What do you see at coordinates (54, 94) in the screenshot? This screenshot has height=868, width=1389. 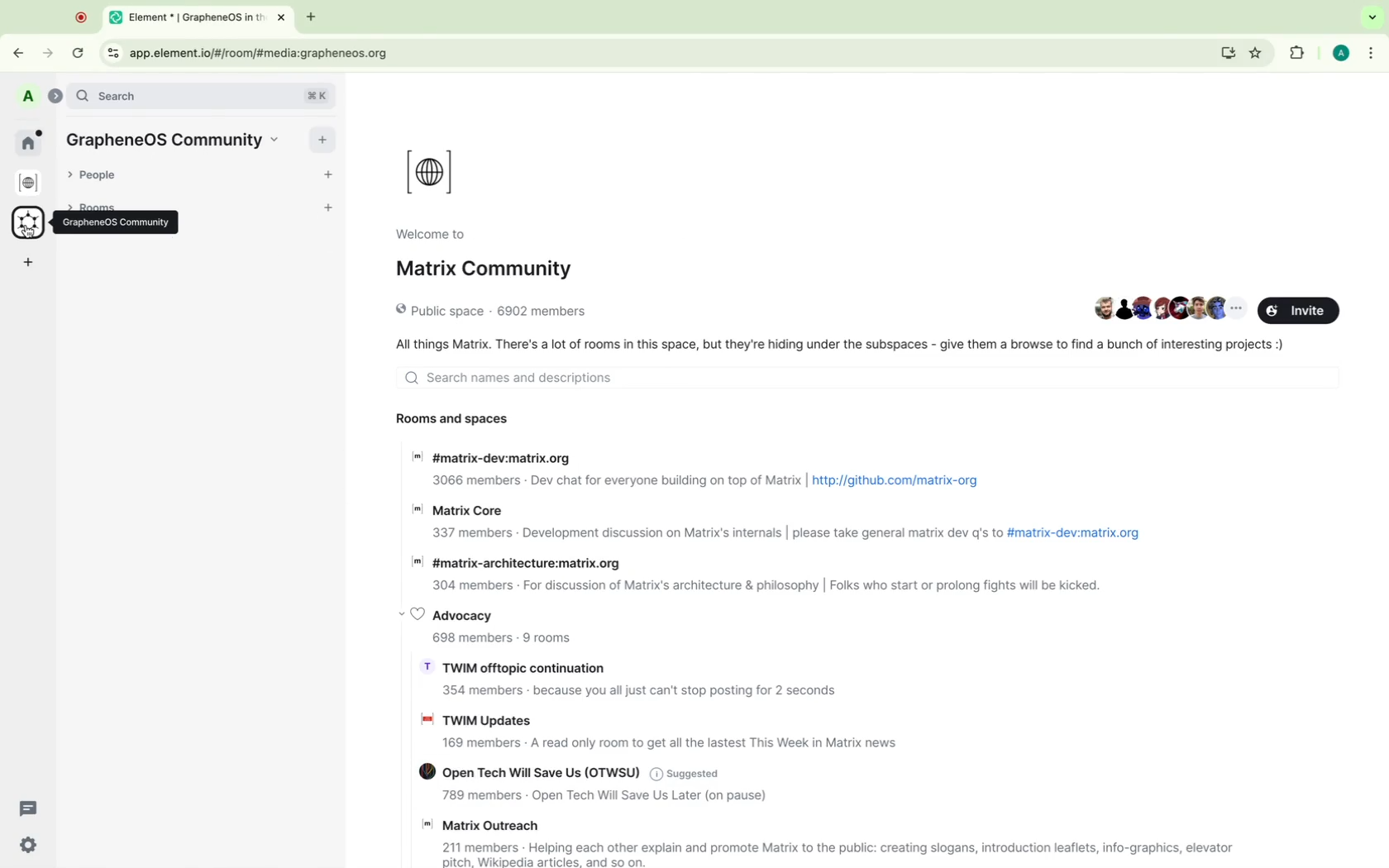 I see `expand` at bounding box center [54, 94].